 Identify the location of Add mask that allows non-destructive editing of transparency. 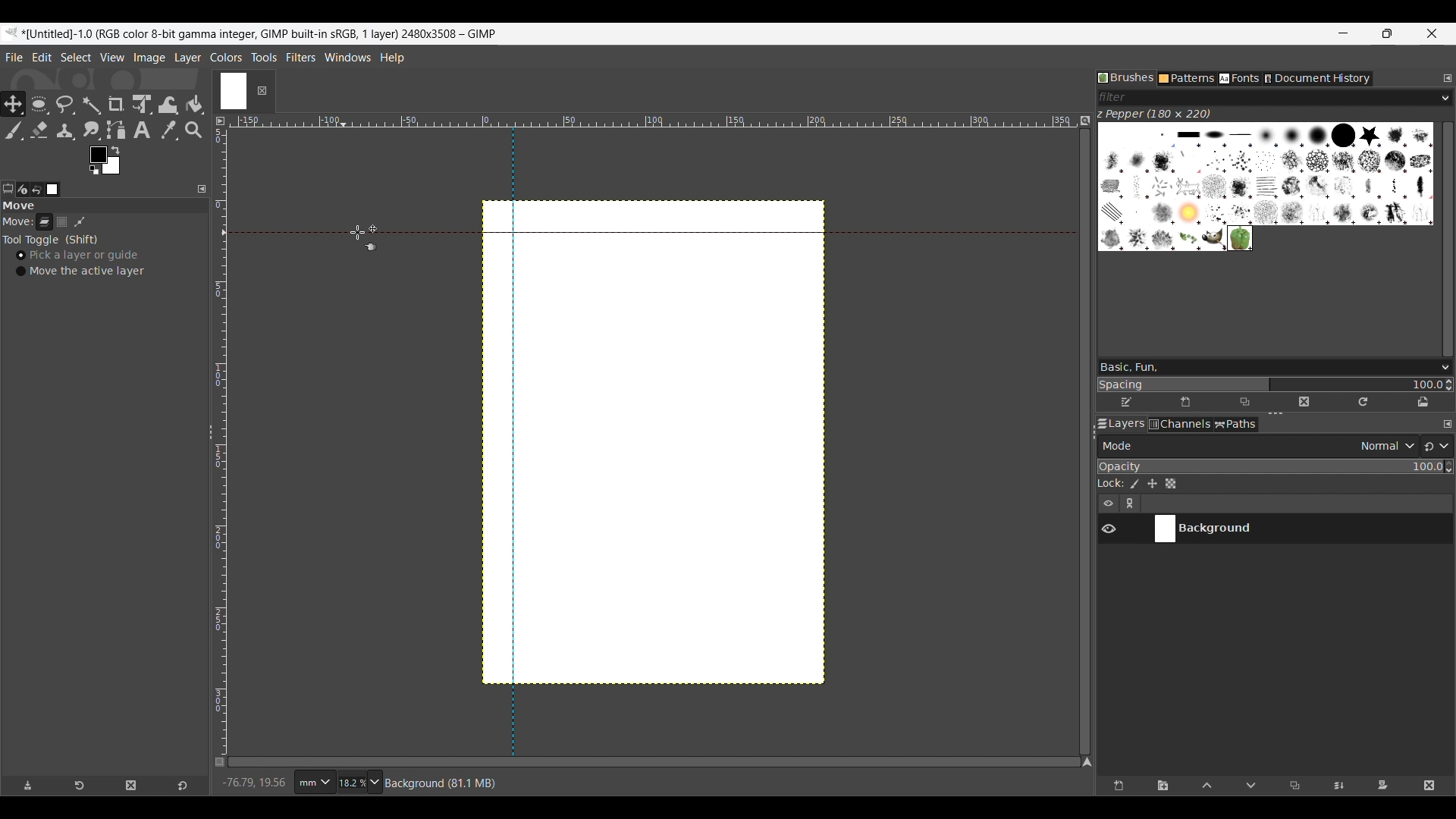
(1382, 786).